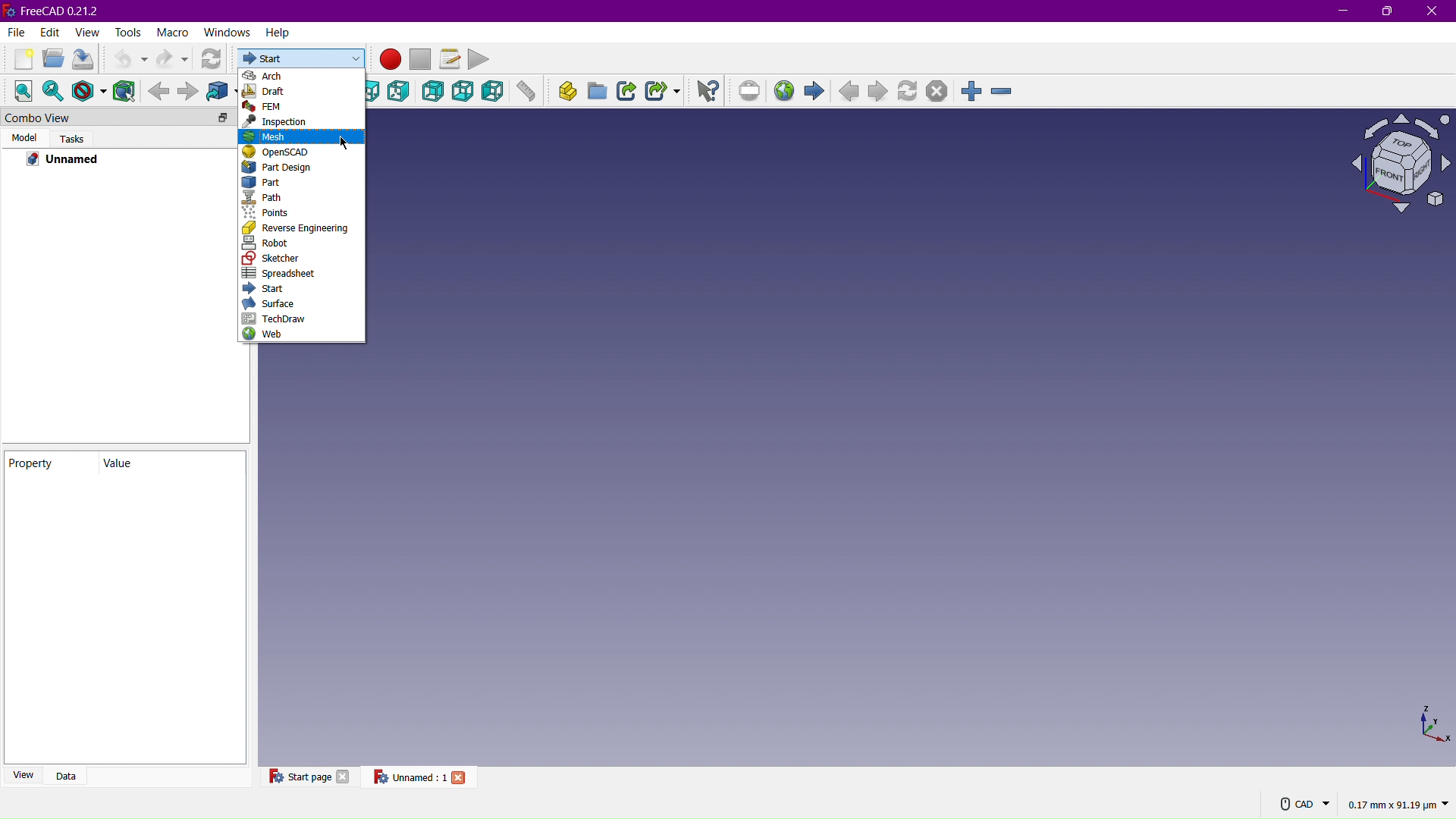 Image resolution: width=1456 pixels, height=819 pixels. Describe the element at coordinates (89, 90) in the screenshot. I see `Draw Style` at that location.